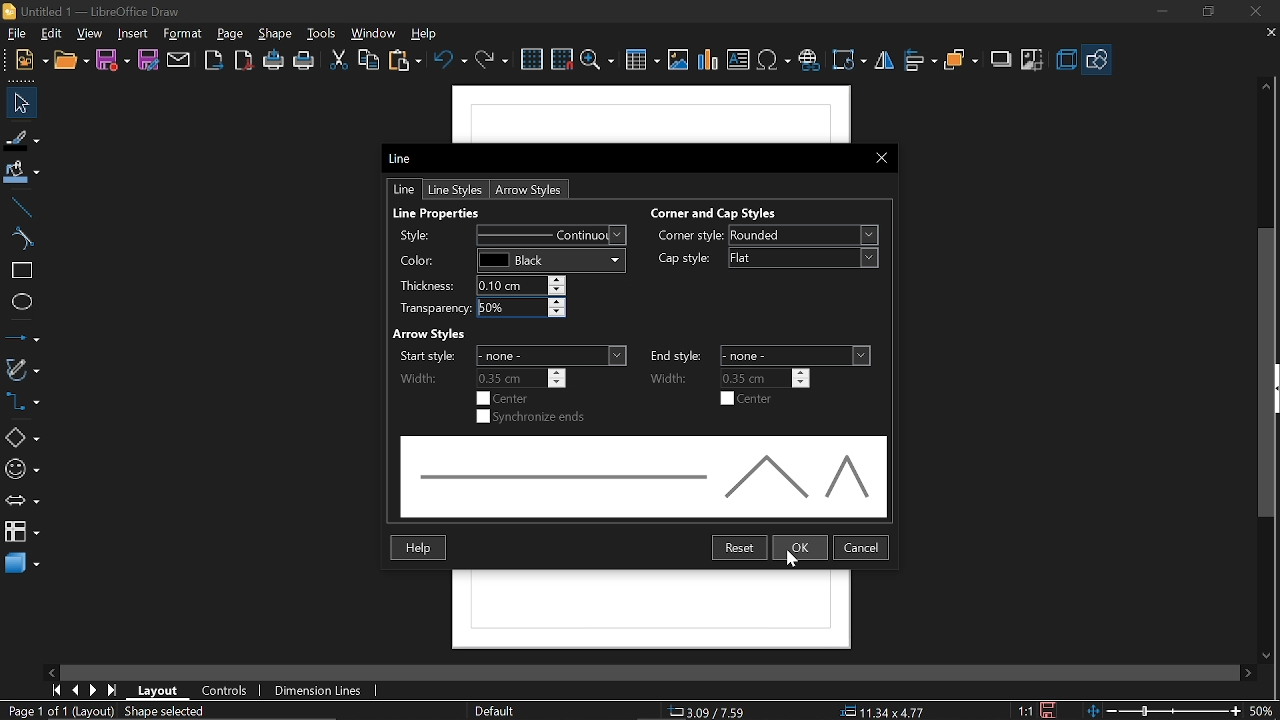  What do you see at coordinates (712, 710) in the screenshot?
I see `Co-ordinate` at bounding box center [712, 710].